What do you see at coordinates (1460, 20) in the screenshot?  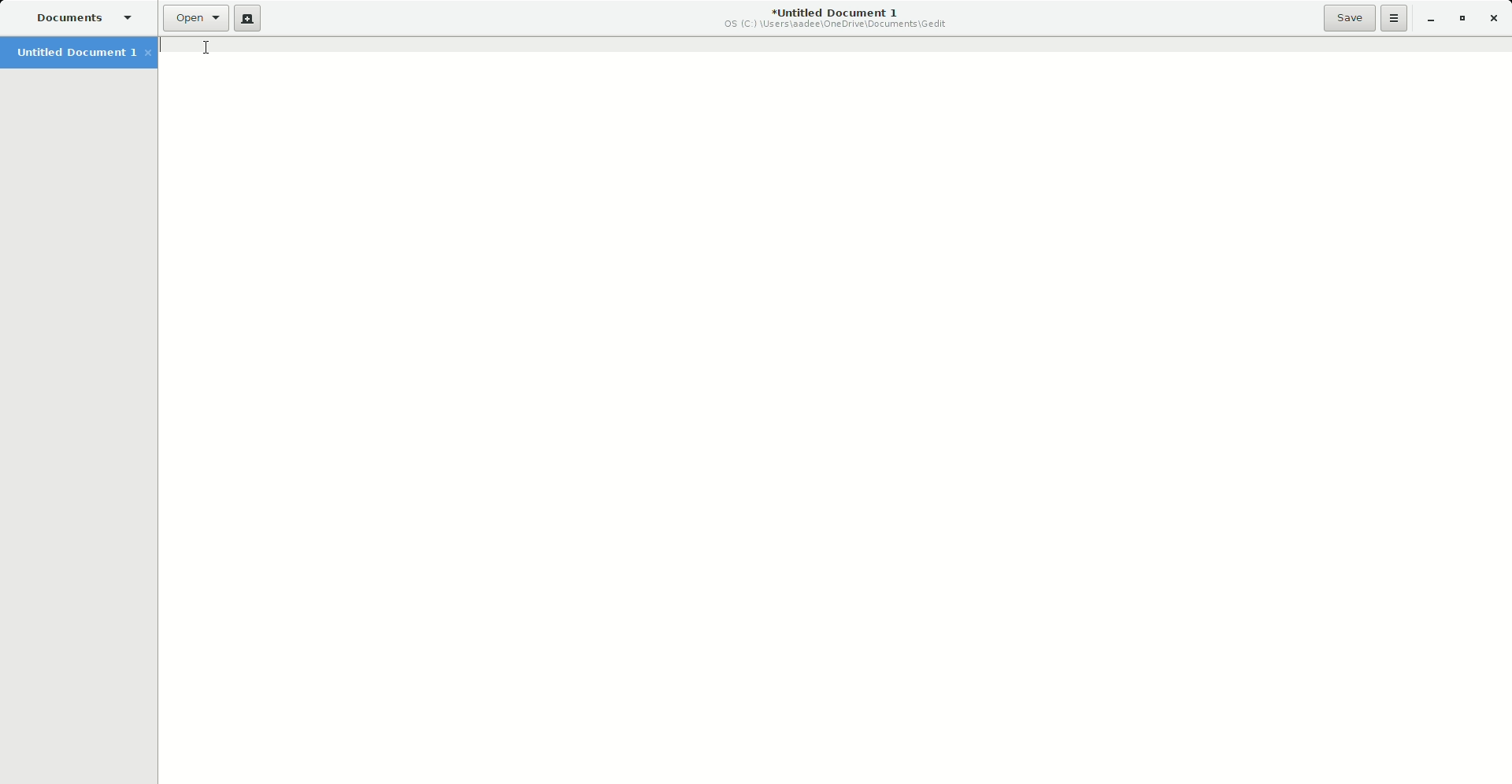 I see `Restore` at bounding box center [1460, 20].